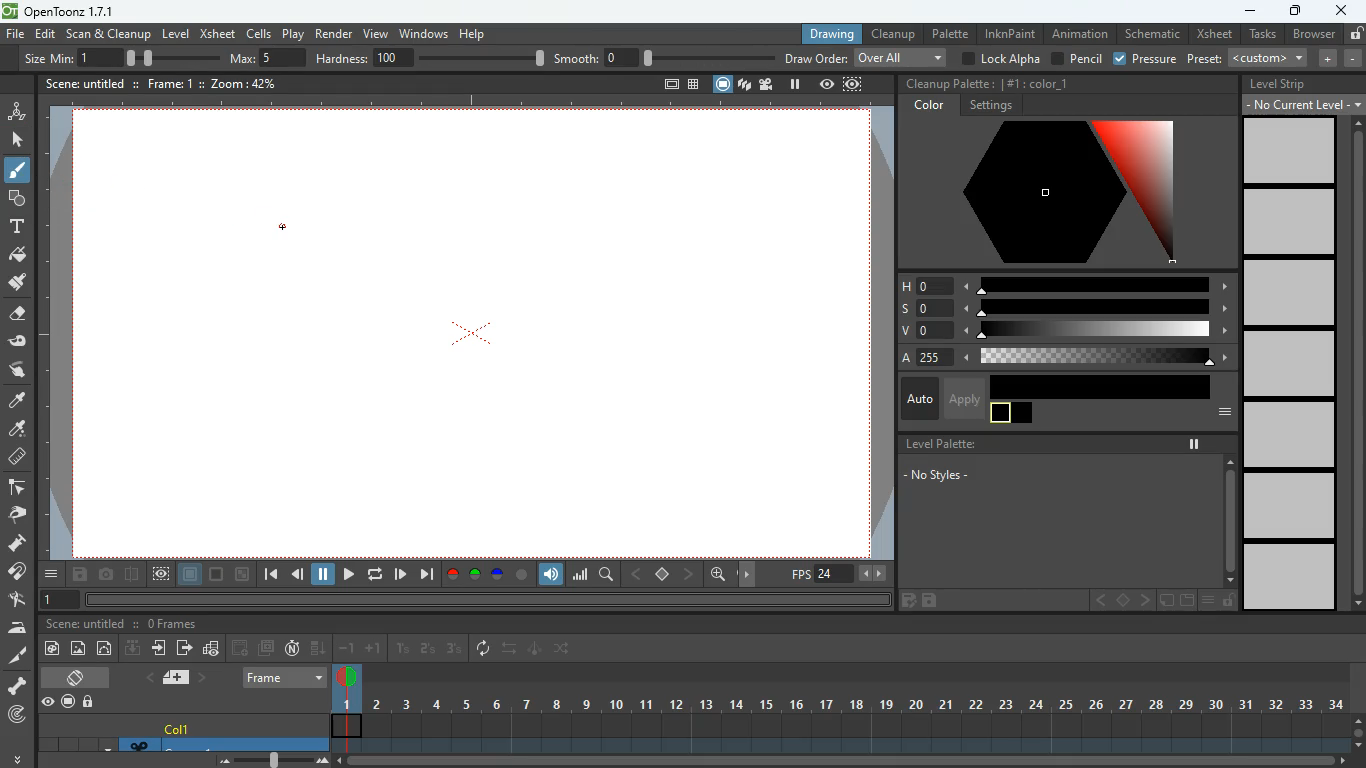 This screenshot has height=768, width=1366. What do you see at coordinates (13, 197) in the screenshot?
I see `shape` at bounding box center [13, 197].